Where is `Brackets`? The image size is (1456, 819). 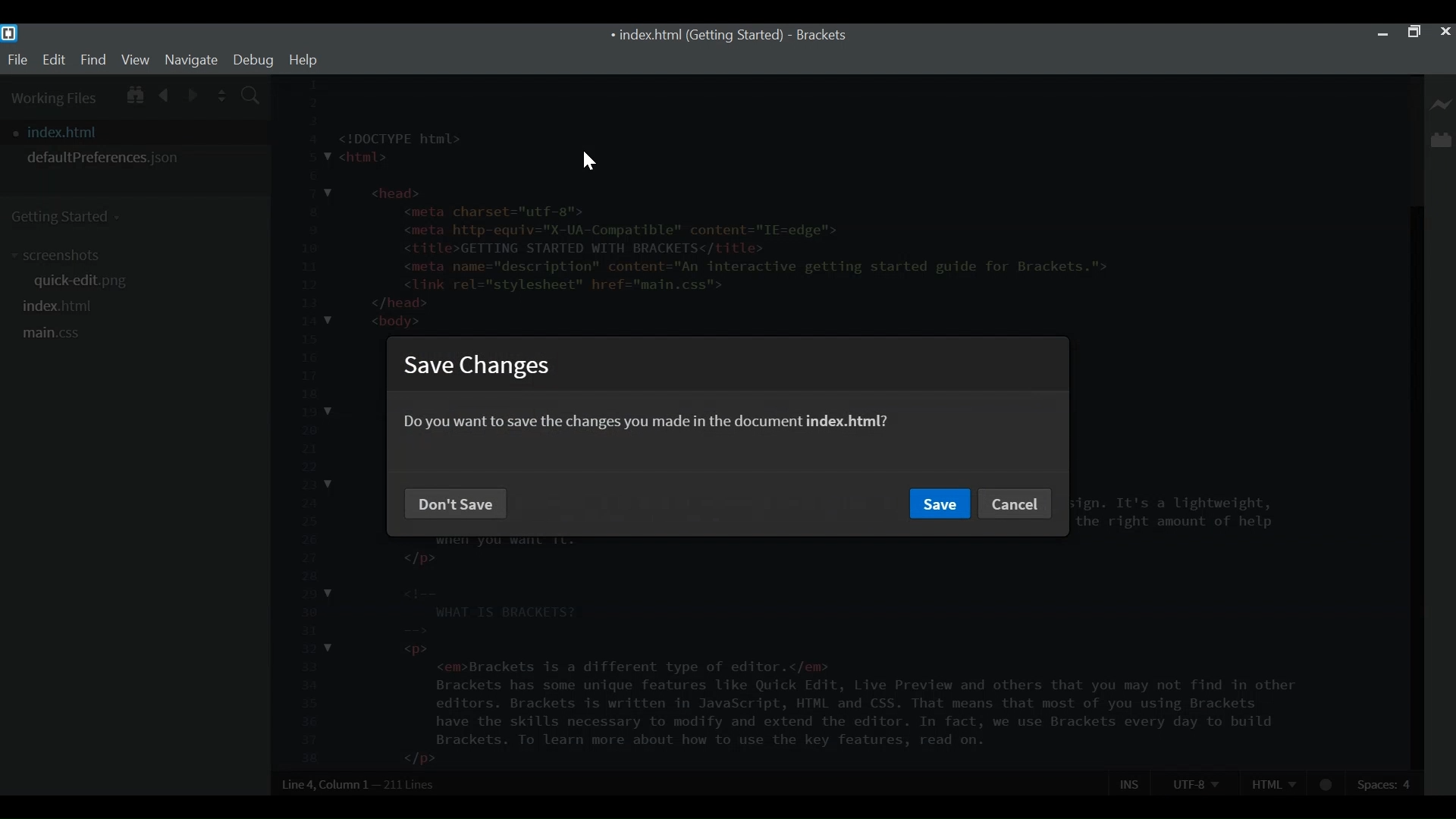 Brackets is located at coordinates (821, 36).